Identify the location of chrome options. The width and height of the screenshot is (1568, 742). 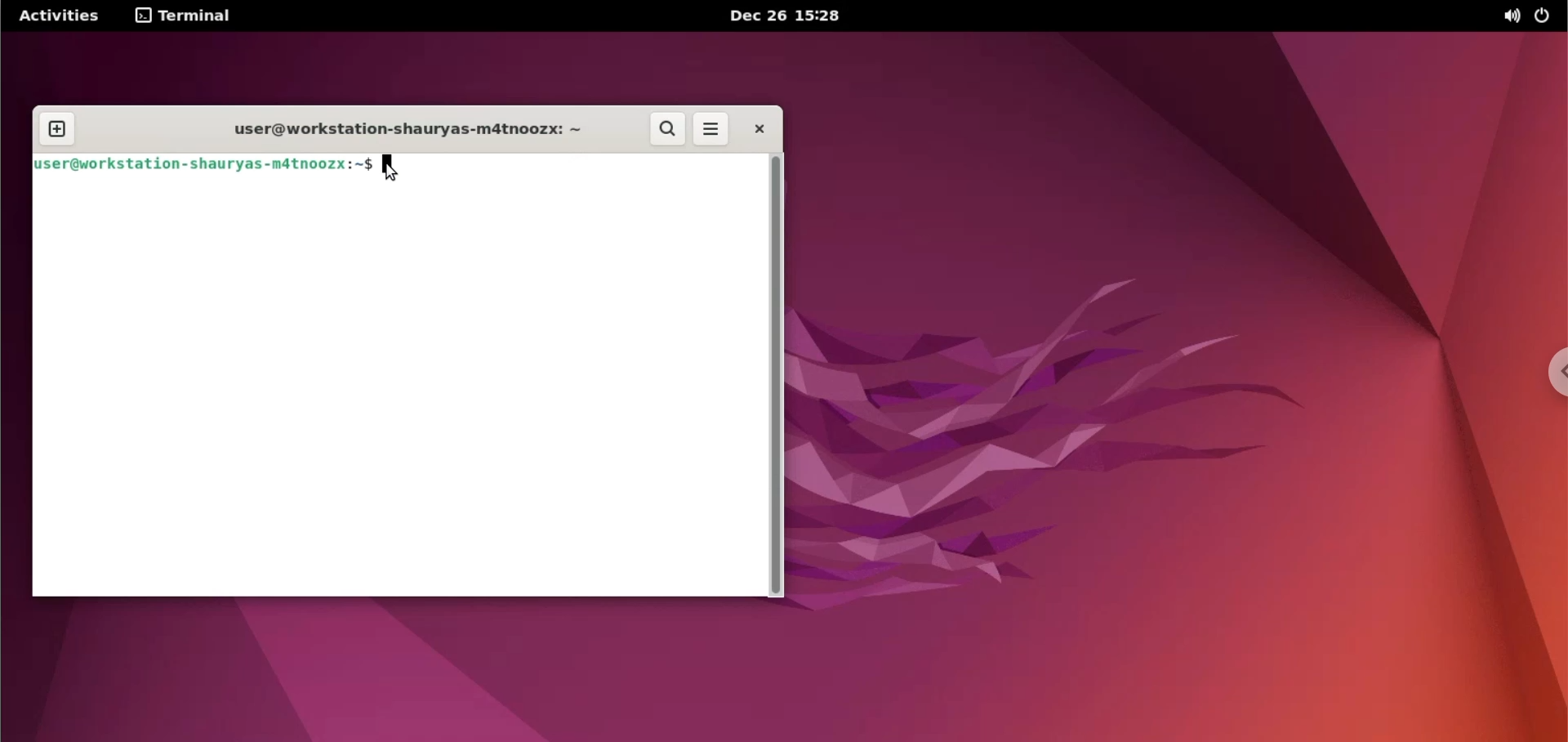
(1552, 376).